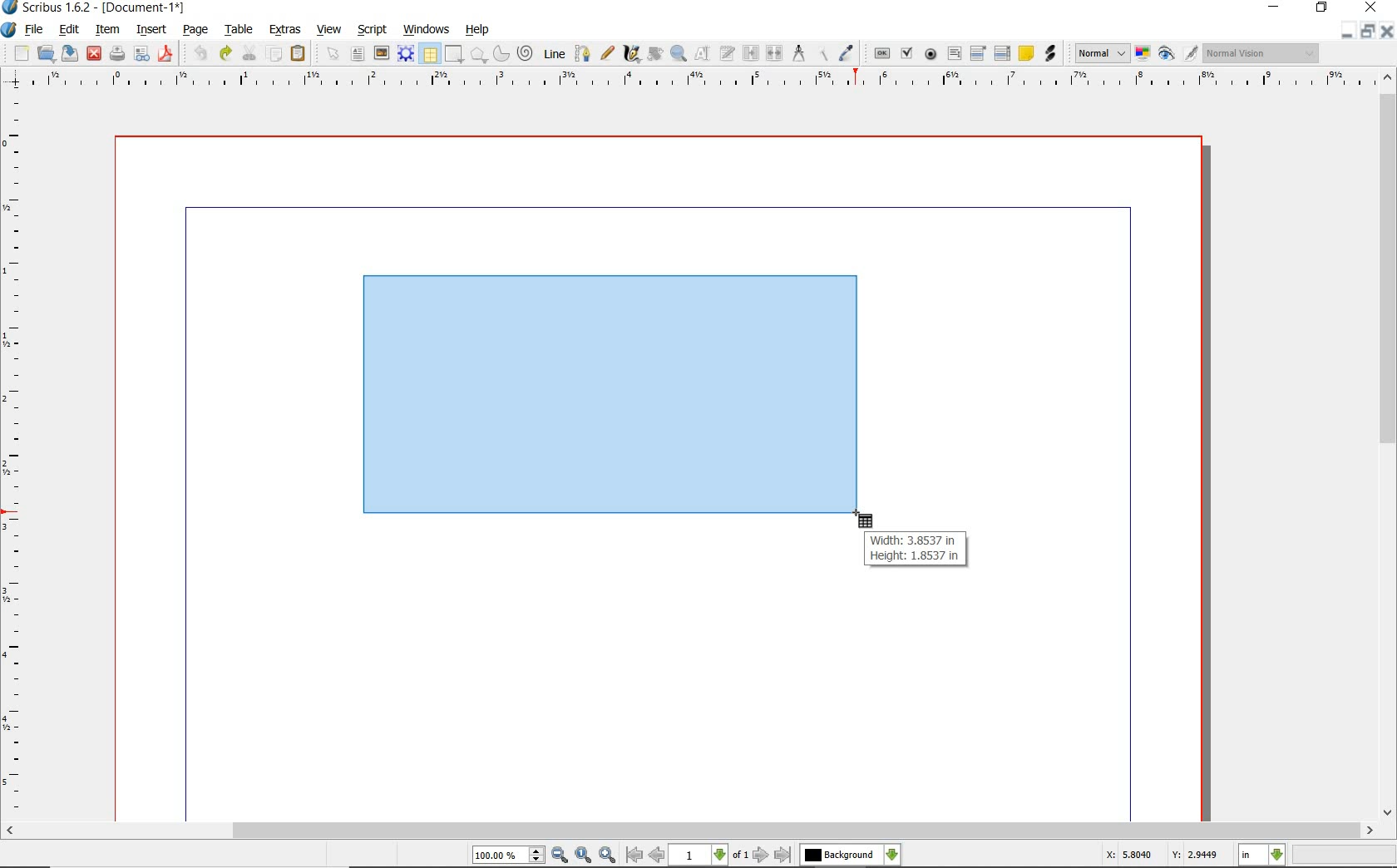 The height and width of the screenshot is (868, 1397). What do you see at coordinates (752, 53) in the screenshot?
I see `link text frames` at bounding box center [752, 53].